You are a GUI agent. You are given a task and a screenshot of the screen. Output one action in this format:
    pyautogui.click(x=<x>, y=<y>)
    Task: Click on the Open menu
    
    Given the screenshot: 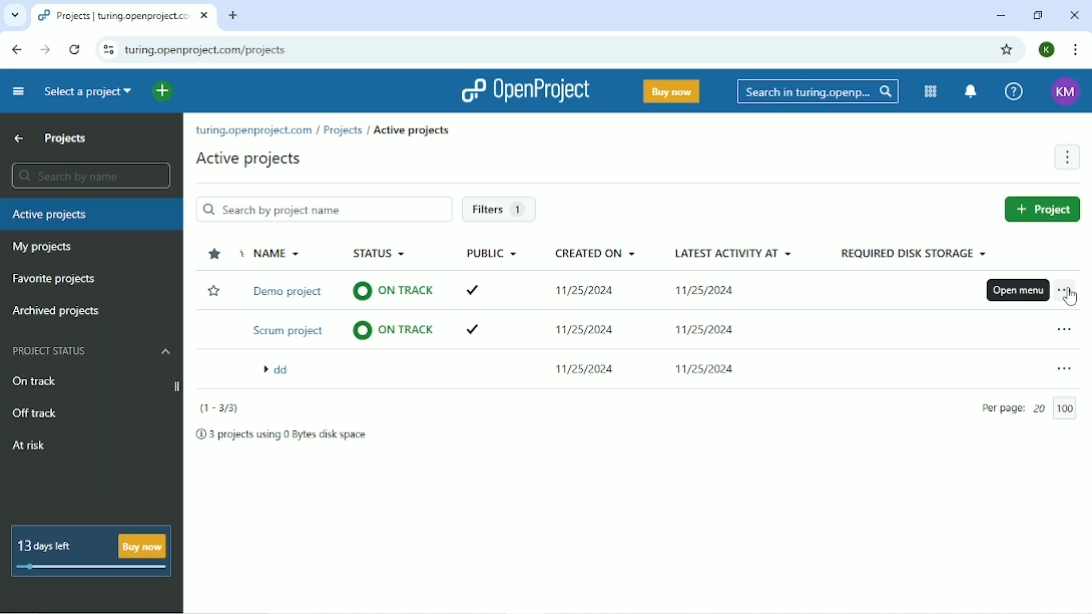 What is the action you would take?
    pyautogui.click(x=1068, y=289)
    